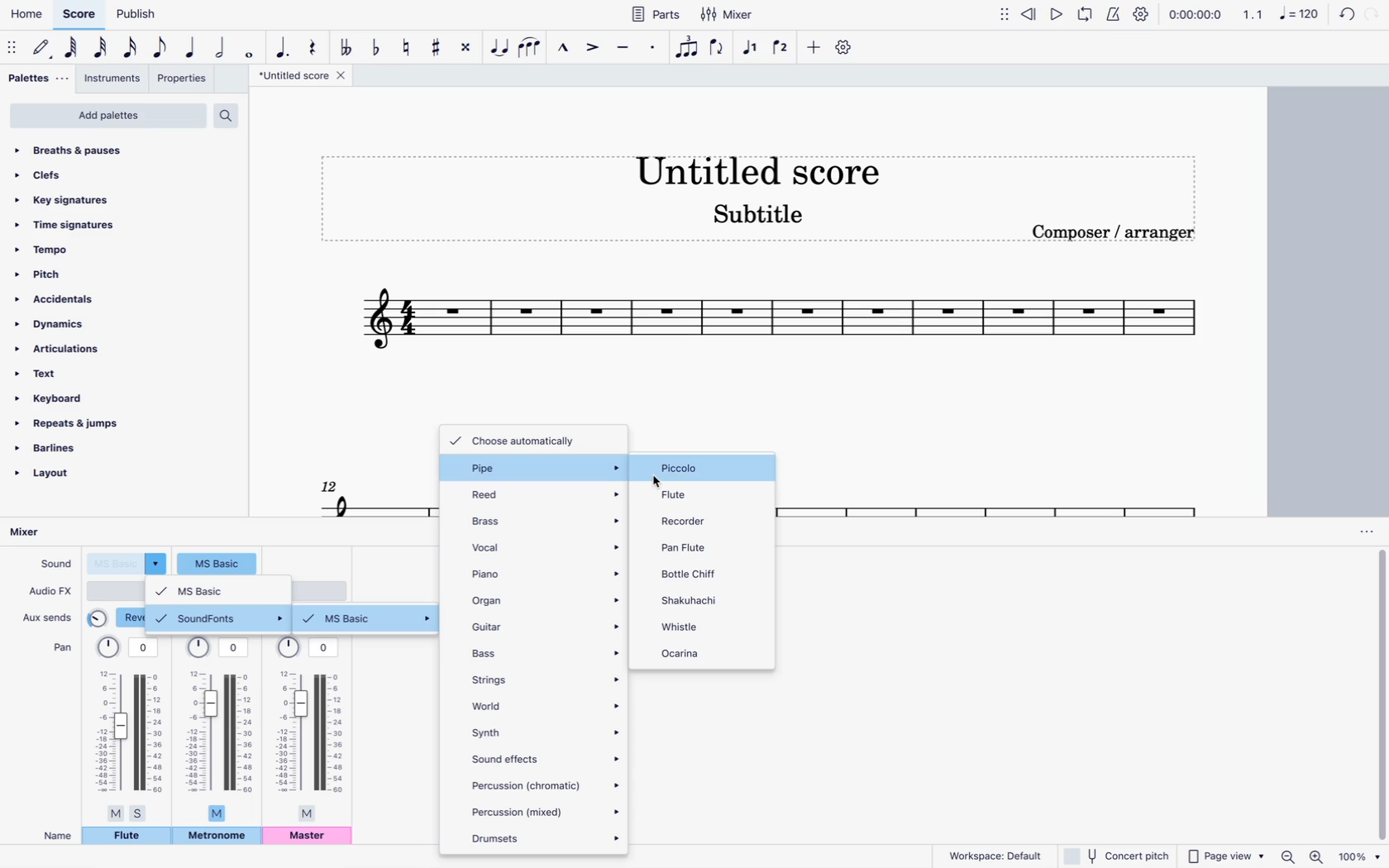 This screenshot has height=868, width=1389. What do you see at coordinates (1291, 856) in the screenshot?
I see `zoom out` at bounding box center [1291, 856].